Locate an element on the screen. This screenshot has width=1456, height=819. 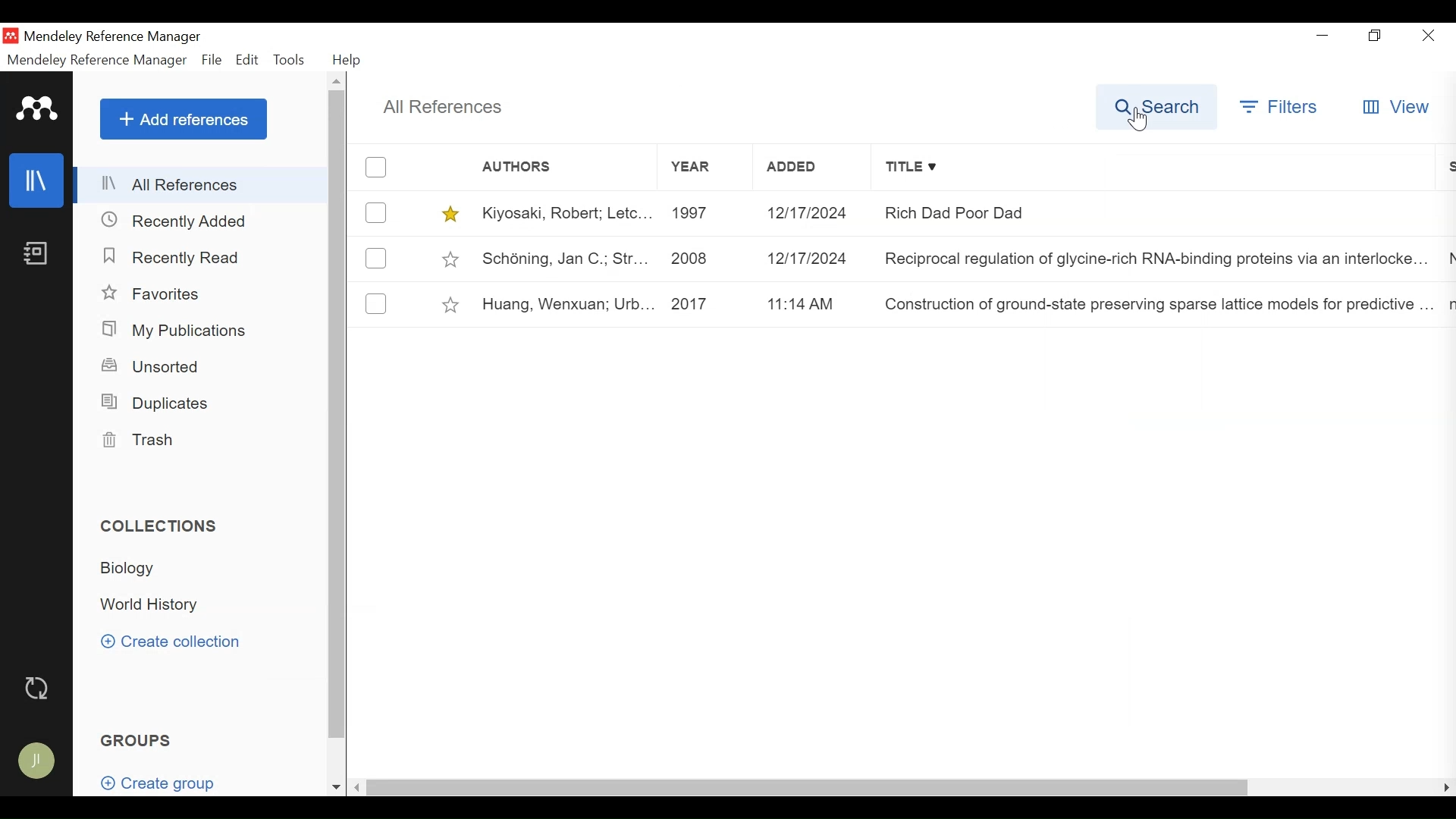
Add References is located at coordinates (183, 118).